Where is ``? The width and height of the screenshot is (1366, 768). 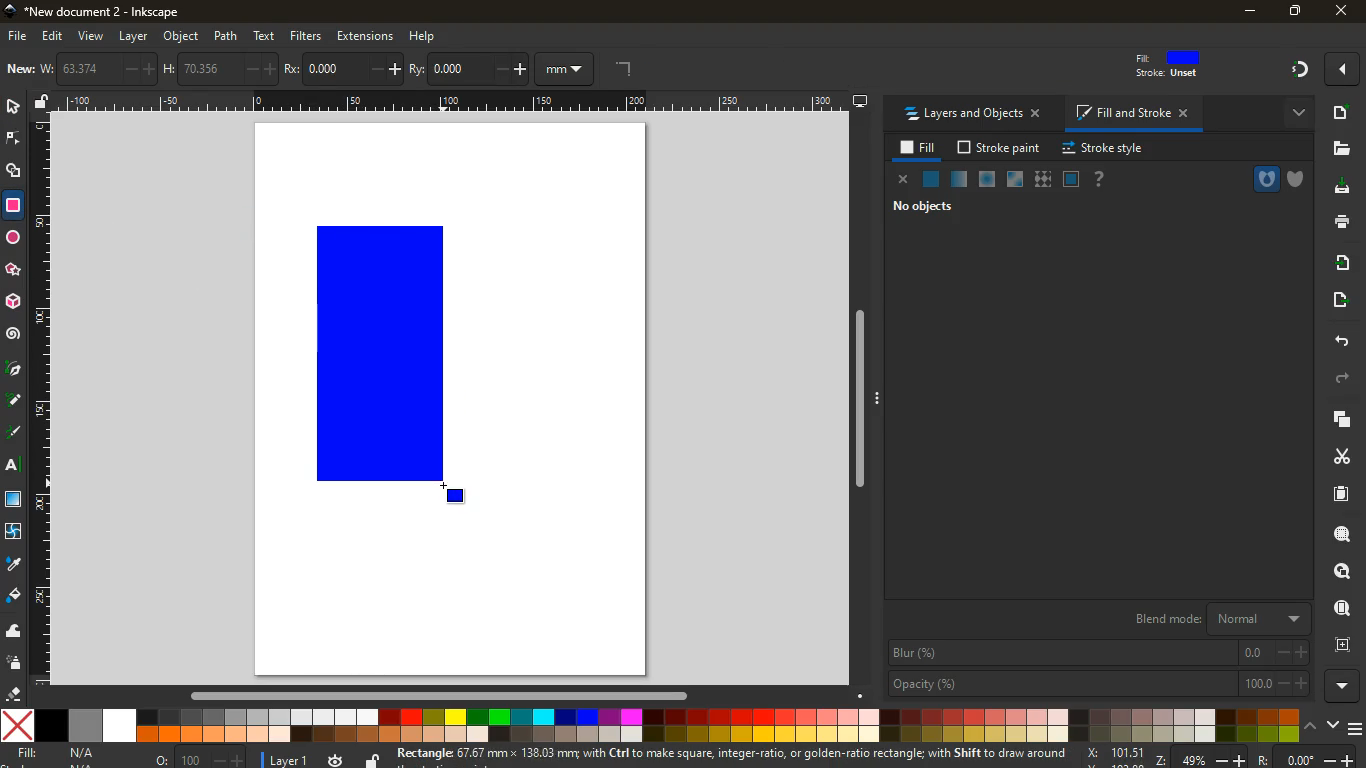
 is located at coordinates (1292, 69).